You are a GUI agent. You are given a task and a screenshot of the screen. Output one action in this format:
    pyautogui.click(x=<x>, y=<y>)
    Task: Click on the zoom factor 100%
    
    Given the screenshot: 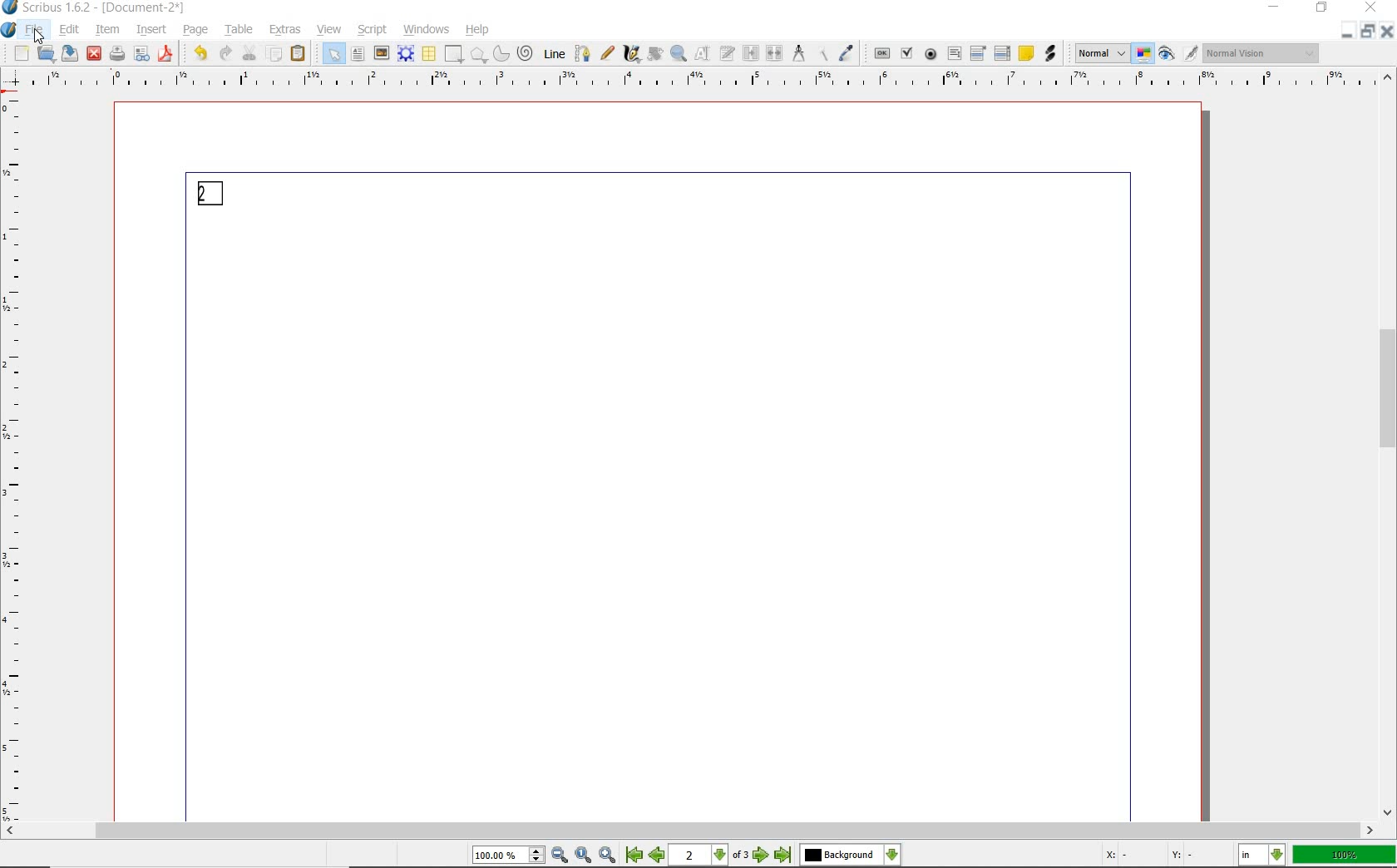 What is the action you would take?
    pyautogui.click(x=1345, y=856)
    